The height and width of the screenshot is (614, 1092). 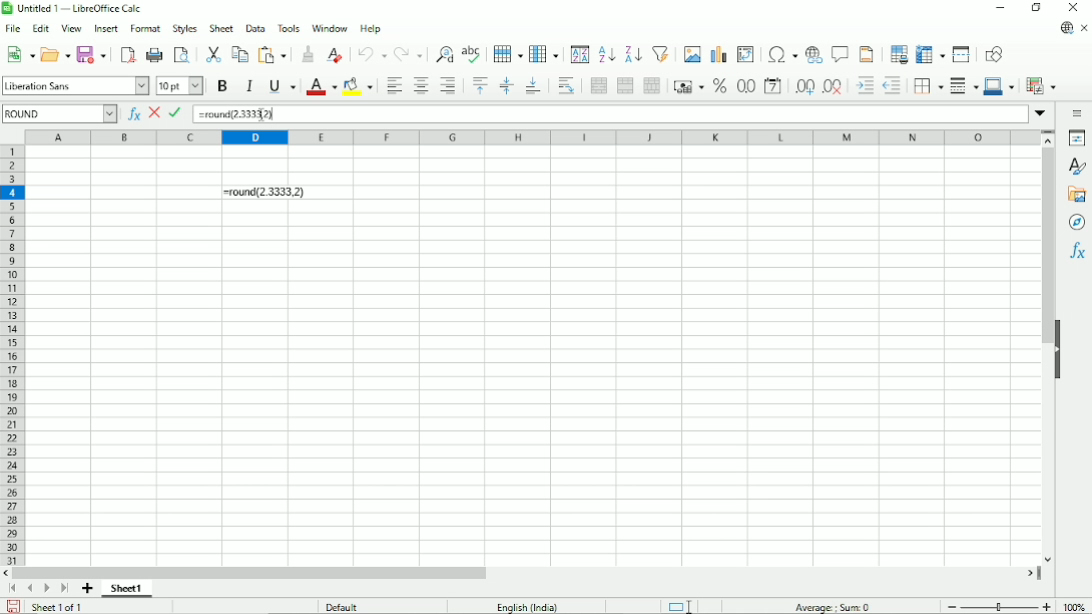 I want to click on Find and replace, so click(x=444, y=54).